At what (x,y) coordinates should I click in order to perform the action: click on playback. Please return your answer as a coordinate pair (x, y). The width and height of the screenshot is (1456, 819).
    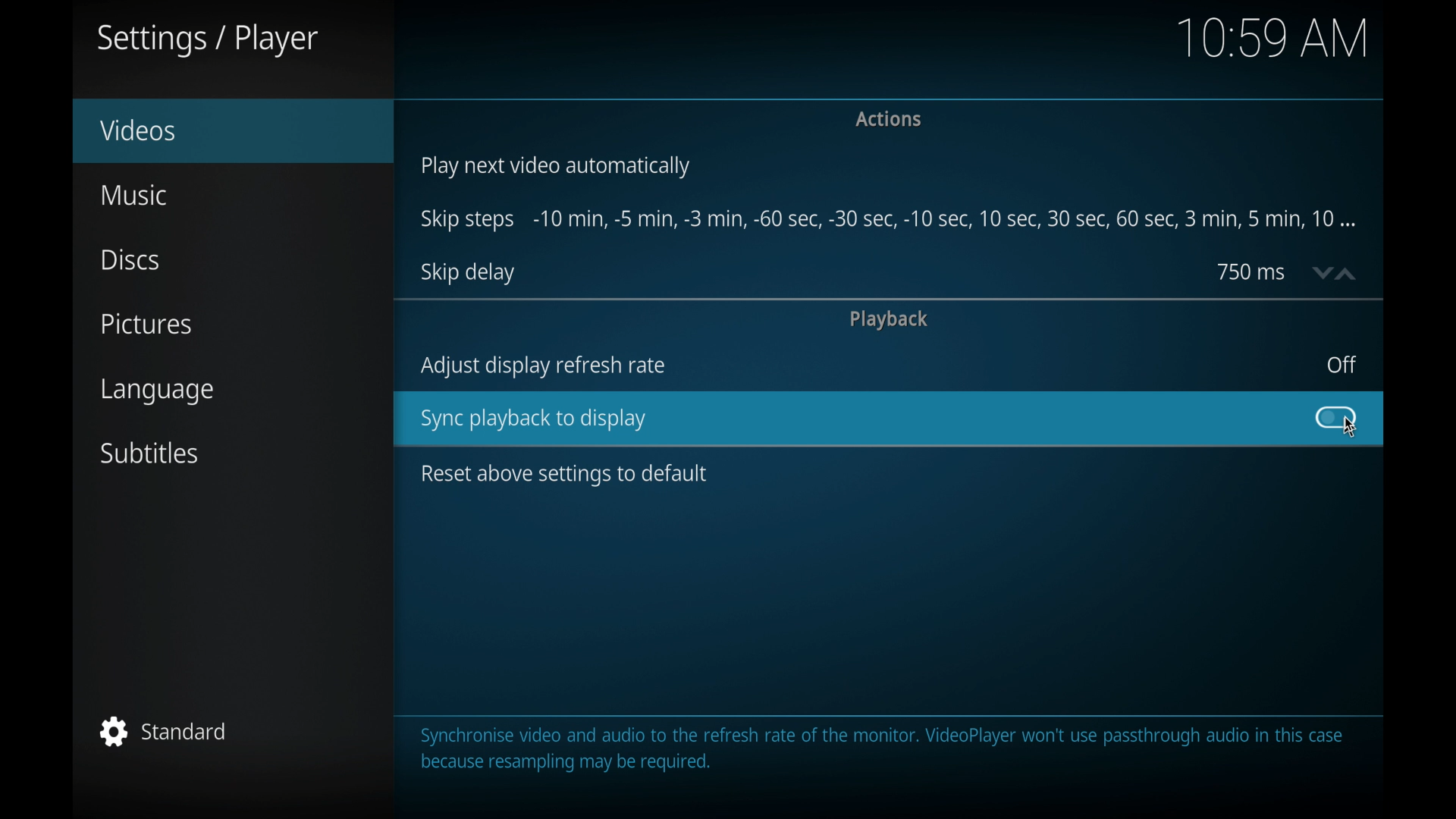
    Looking at the image, I should click on (888, 319).